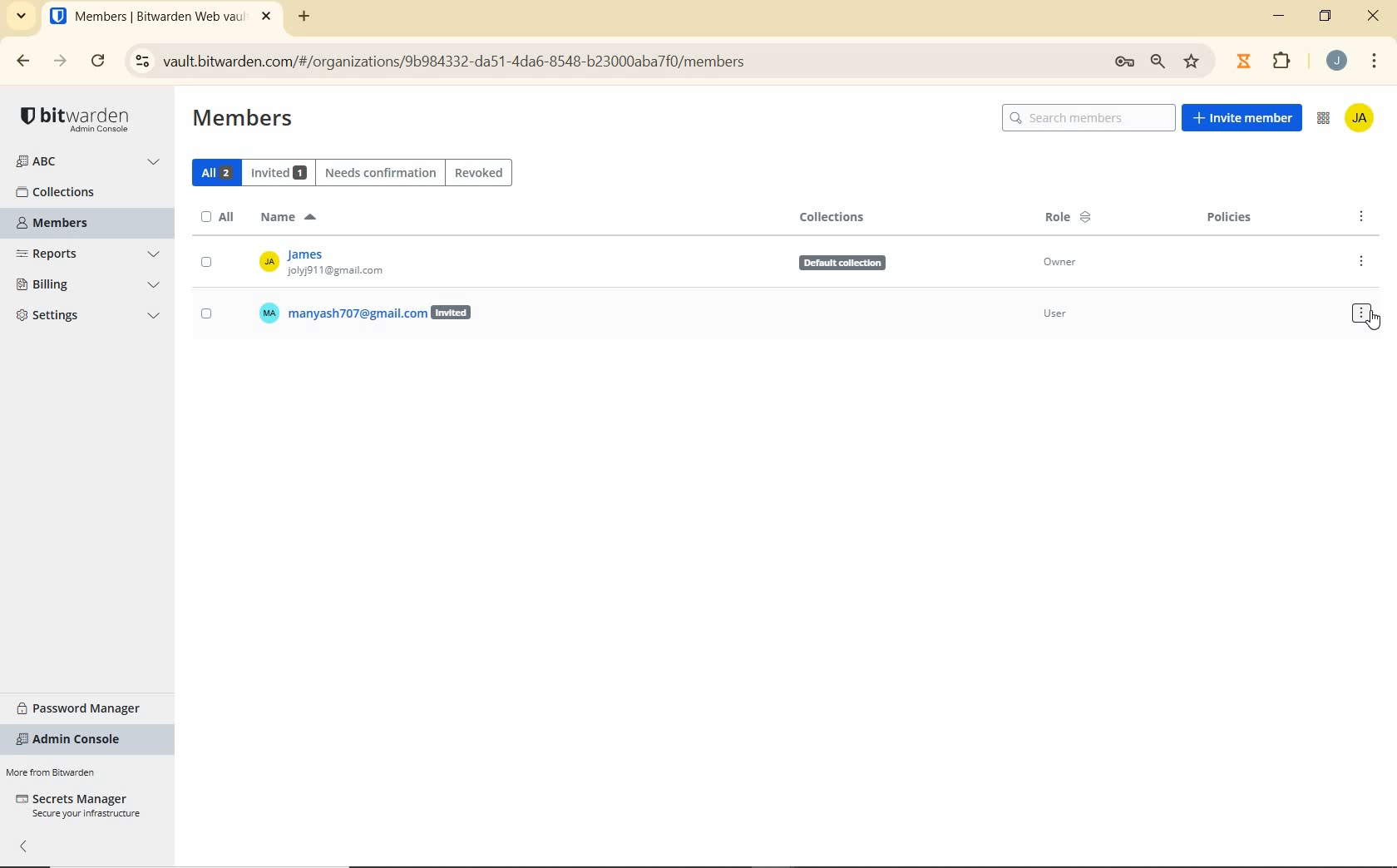  What do you see at coordinates (1374, 16) in the screenshot?
I see `CLOSE` at bounding box center [1374, 16].